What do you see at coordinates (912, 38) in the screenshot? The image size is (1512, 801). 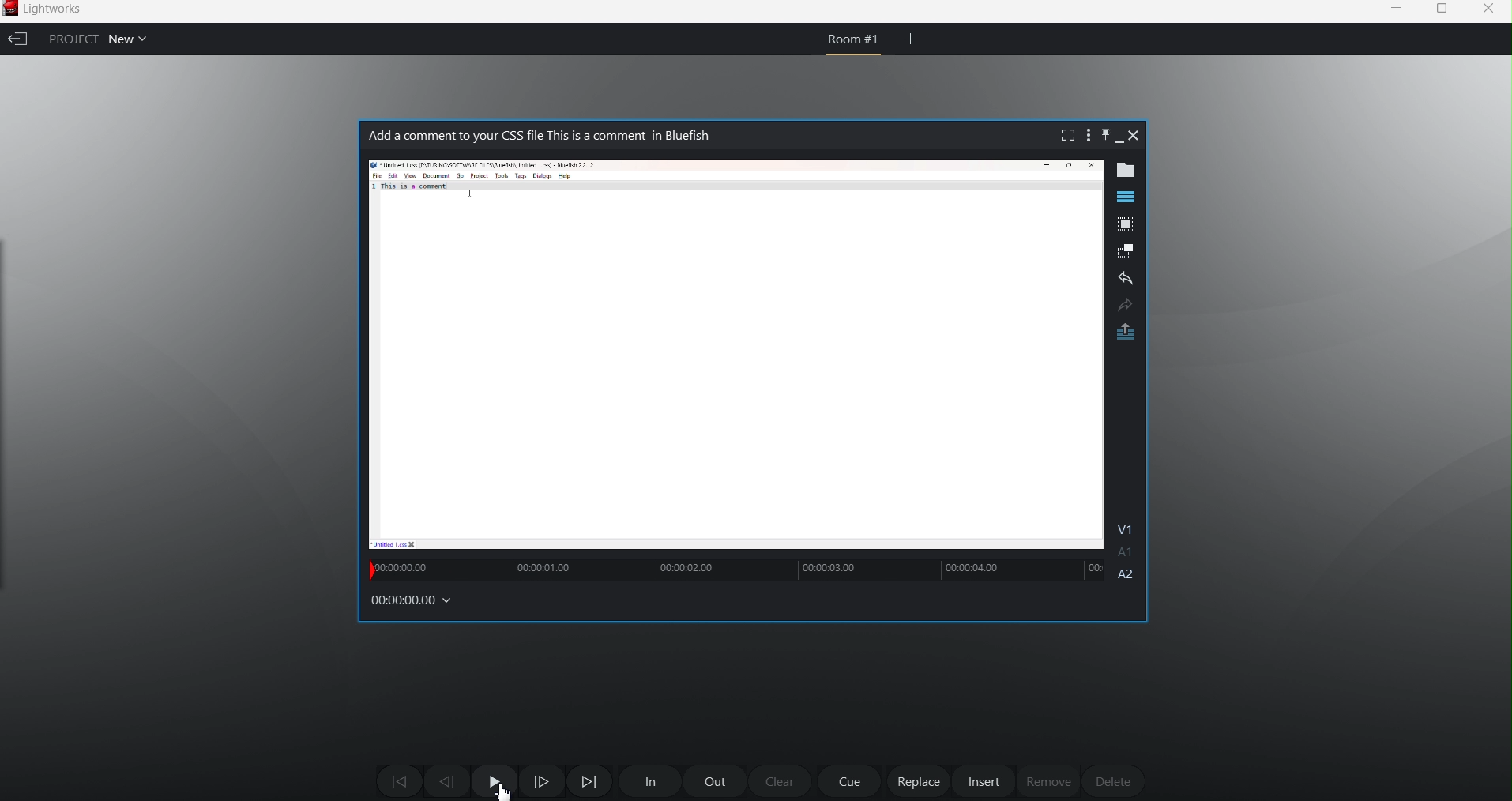 I see `add room` at bounding box center [912, 38].